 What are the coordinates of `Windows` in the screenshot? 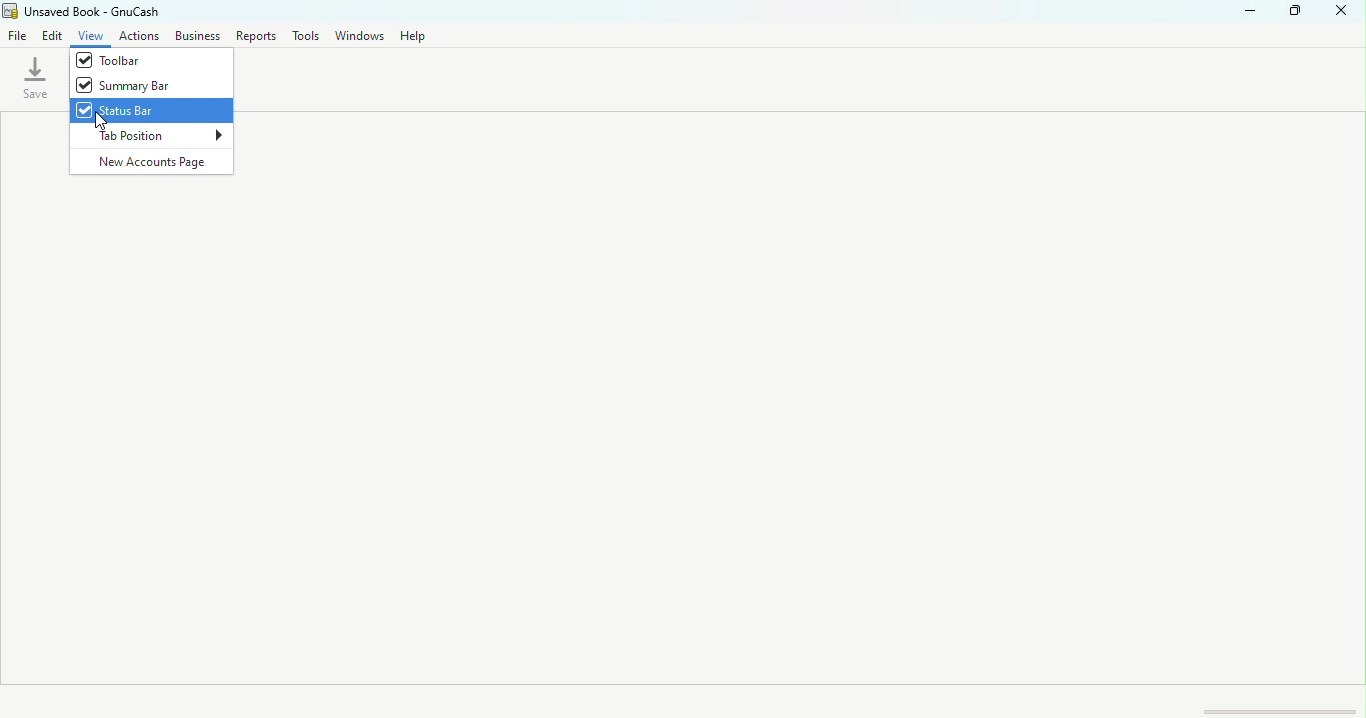 It's located at (356, 34).